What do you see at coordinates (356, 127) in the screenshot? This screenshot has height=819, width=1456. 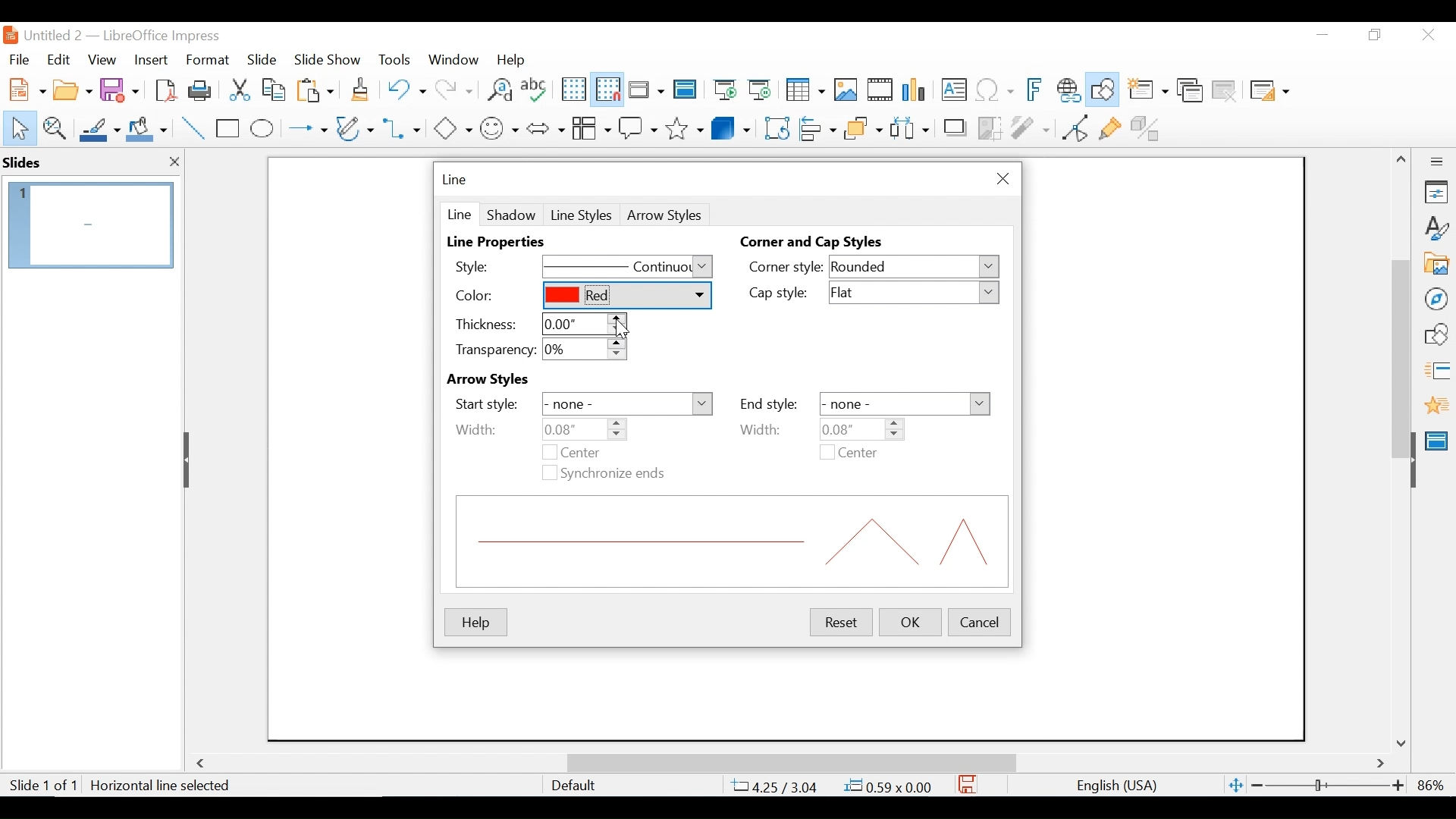 I see `` at bounding box center [356, 127].